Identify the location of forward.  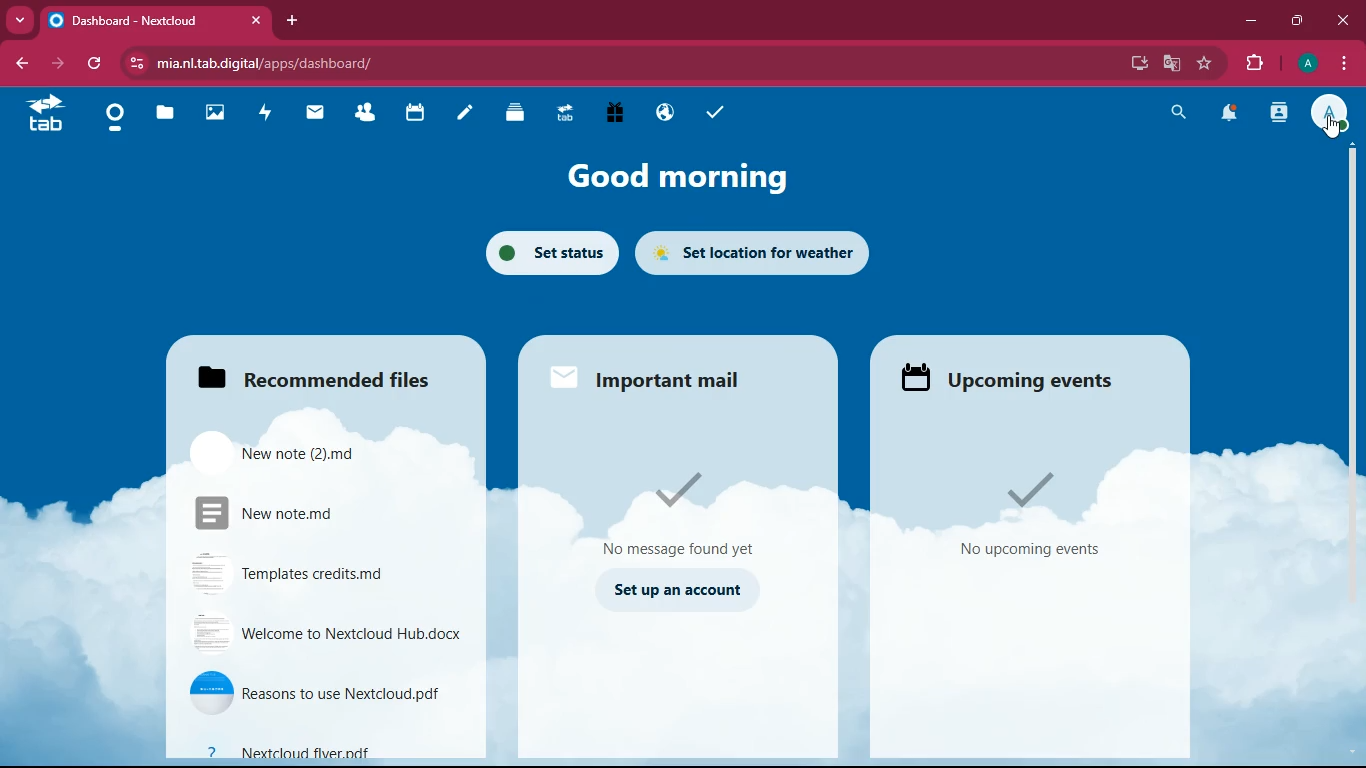
(65, 64).